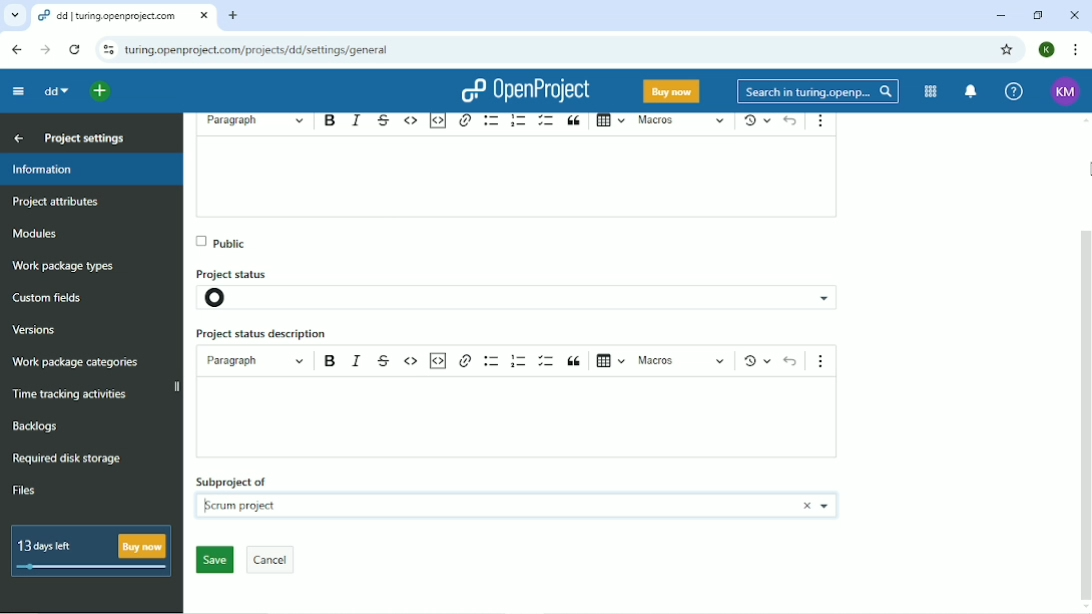 This screenshot has height=614, width=1092. I want to click on 13 days left buy now, so click(92, 552).